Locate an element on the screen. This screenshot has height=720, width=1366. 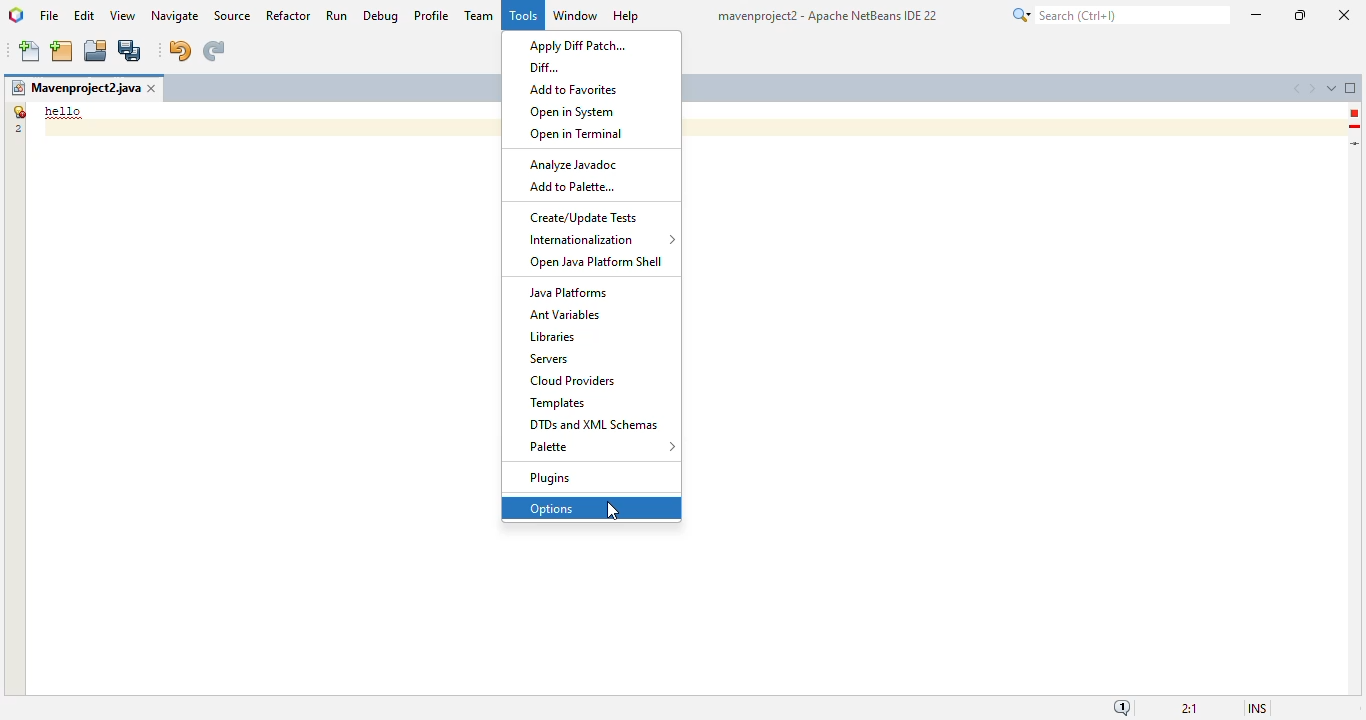
project name is located at coordinates (75, 88).